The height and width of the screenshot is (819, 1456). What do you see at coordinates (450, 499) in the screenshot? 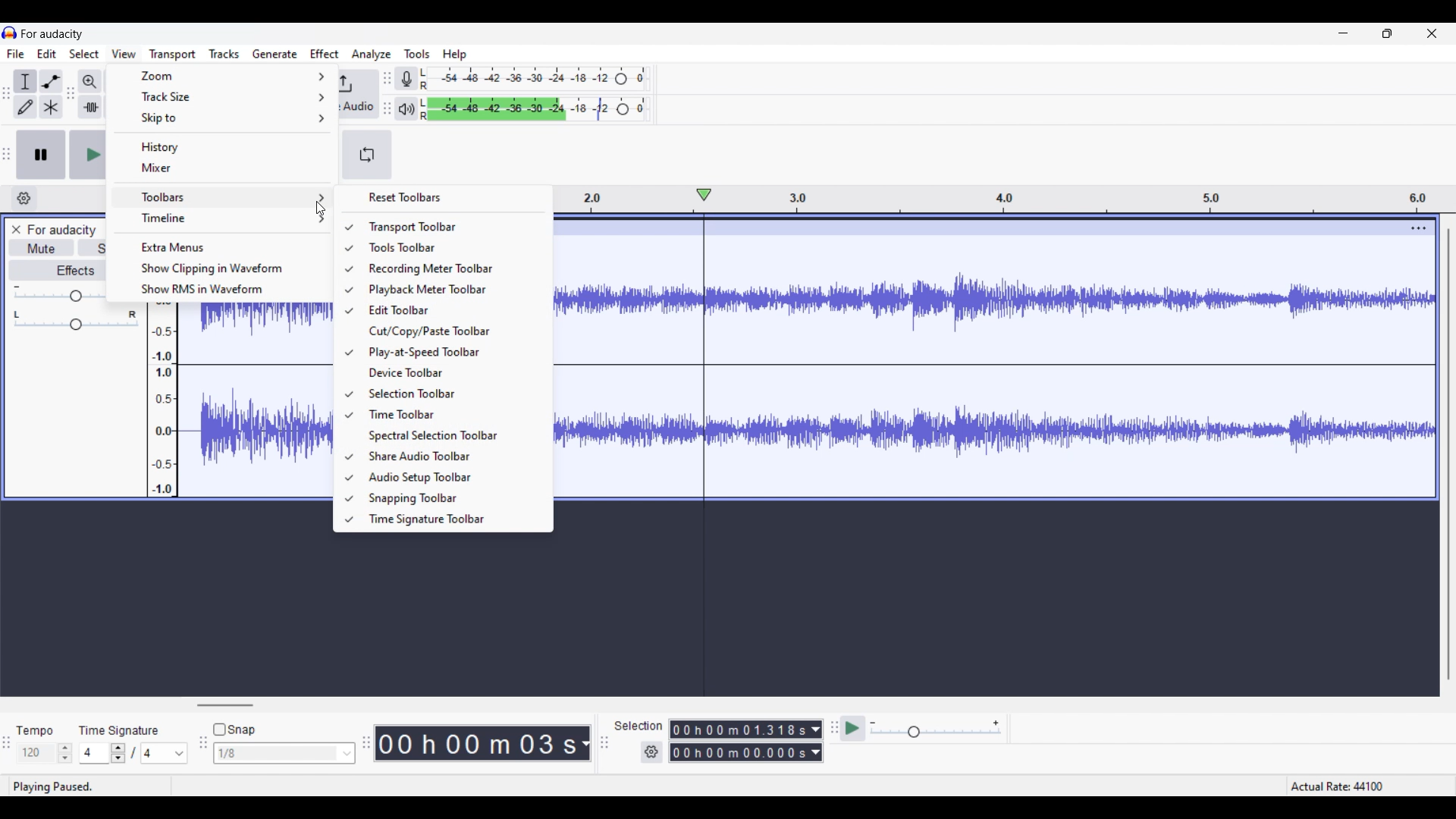
I see `Snapping toolbar` at bounding box center [450, 499].